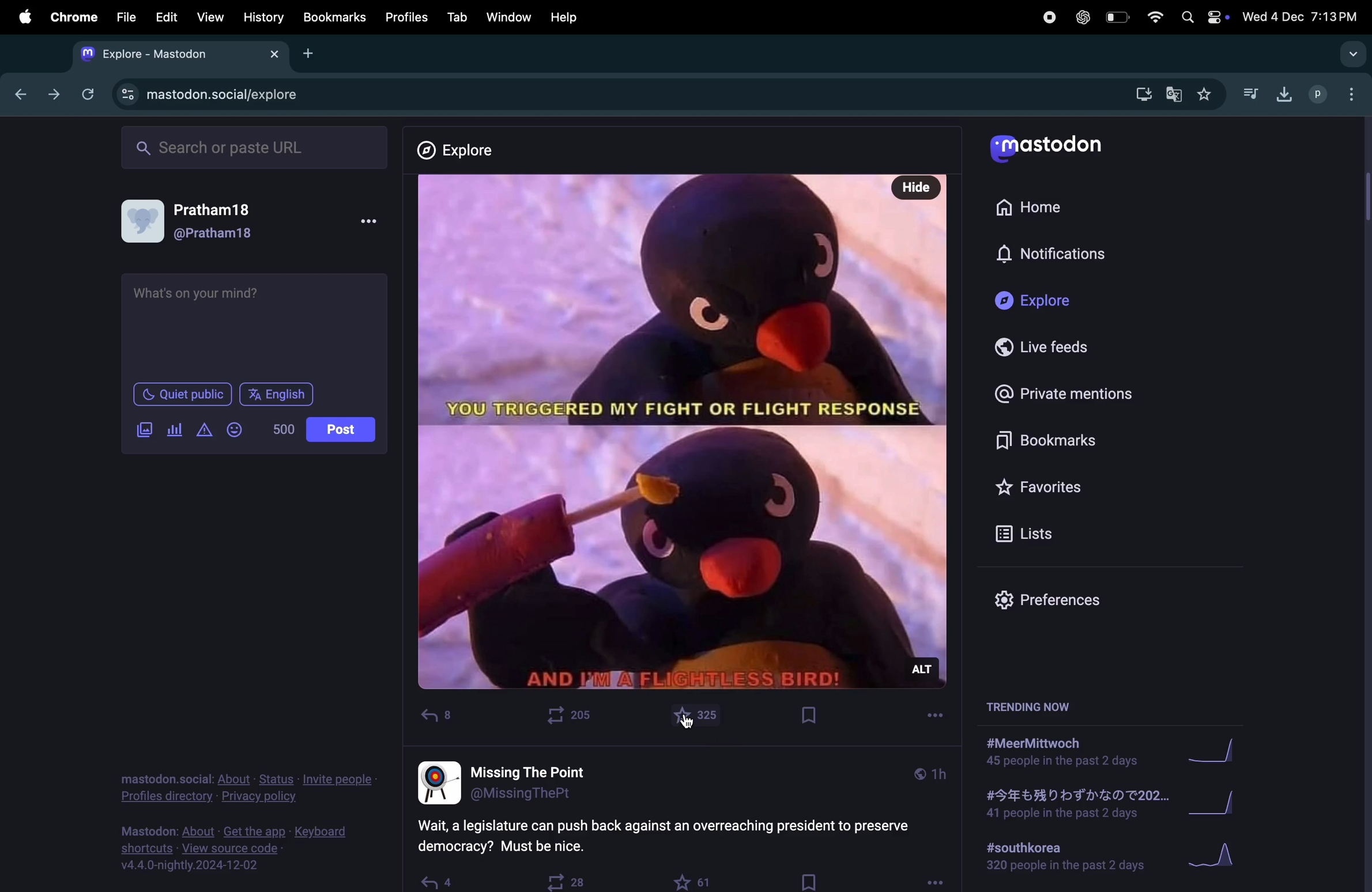  I want to click on add, so click(308, 54).